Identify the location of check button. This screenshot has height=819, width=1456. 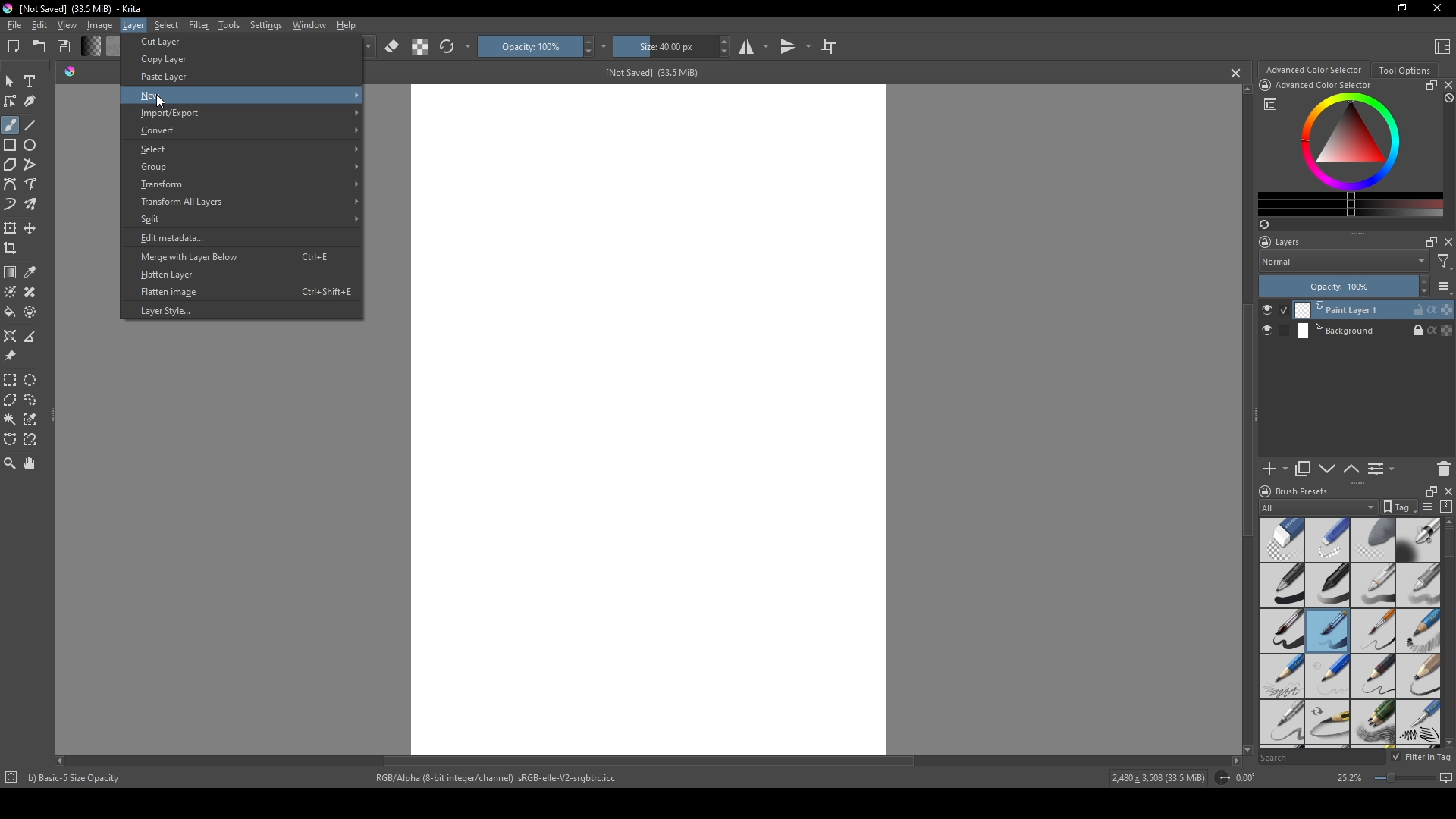
(1275, 331).